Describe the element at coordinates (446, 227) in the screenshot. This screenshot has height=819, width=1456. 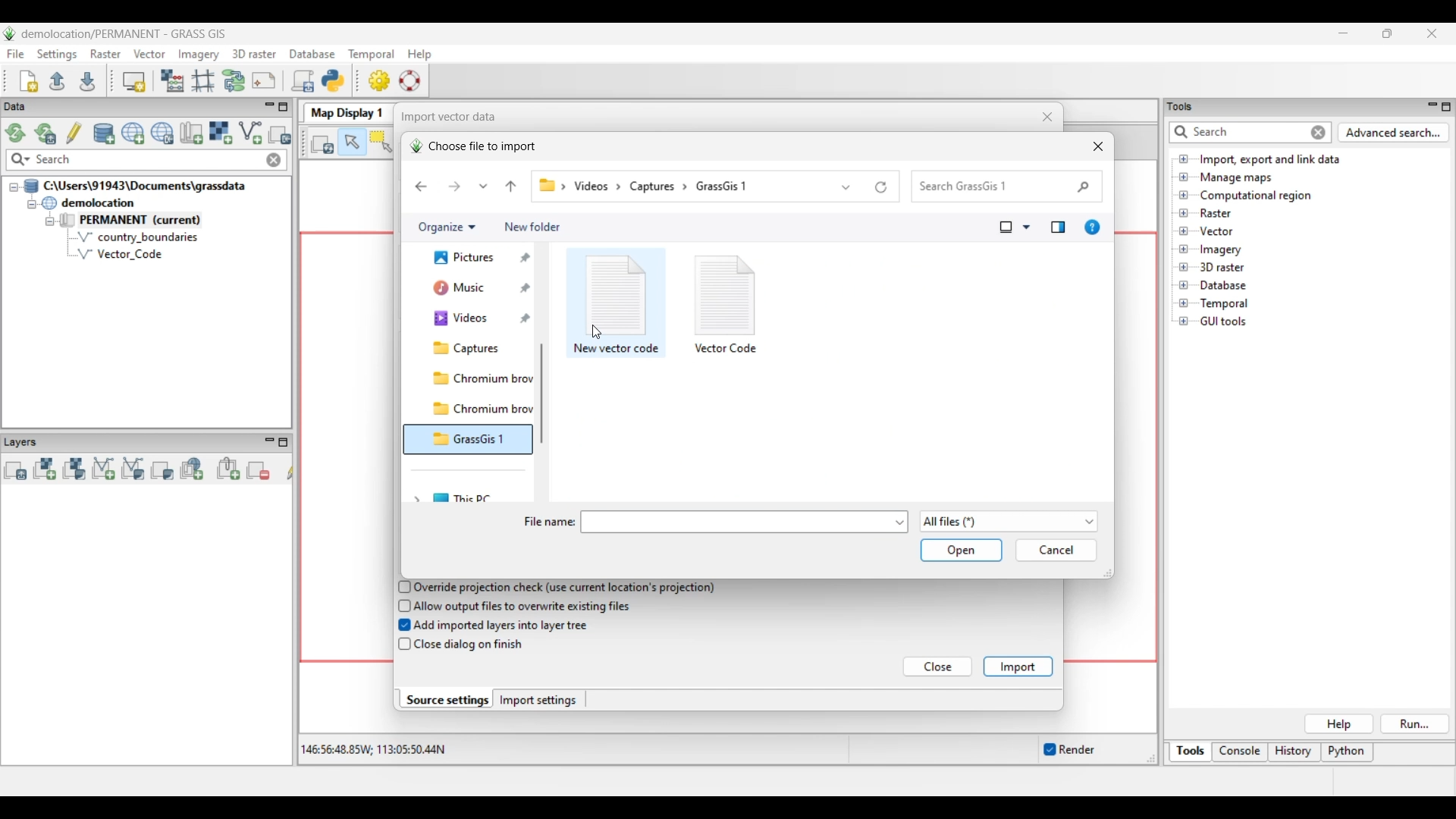
I see `Organize current folder` at that location.